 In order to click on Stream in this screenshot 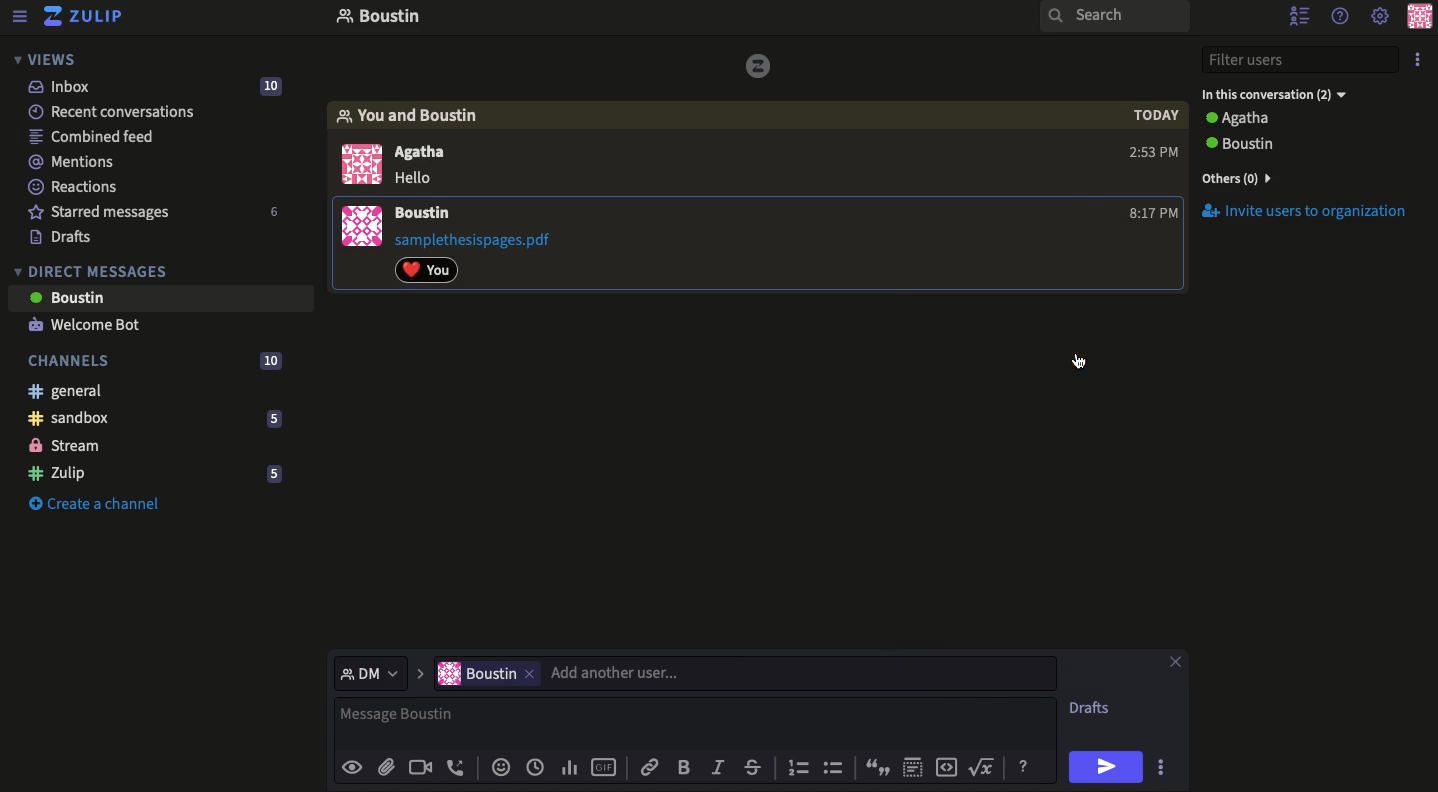, I will do `click(66, 445)`.